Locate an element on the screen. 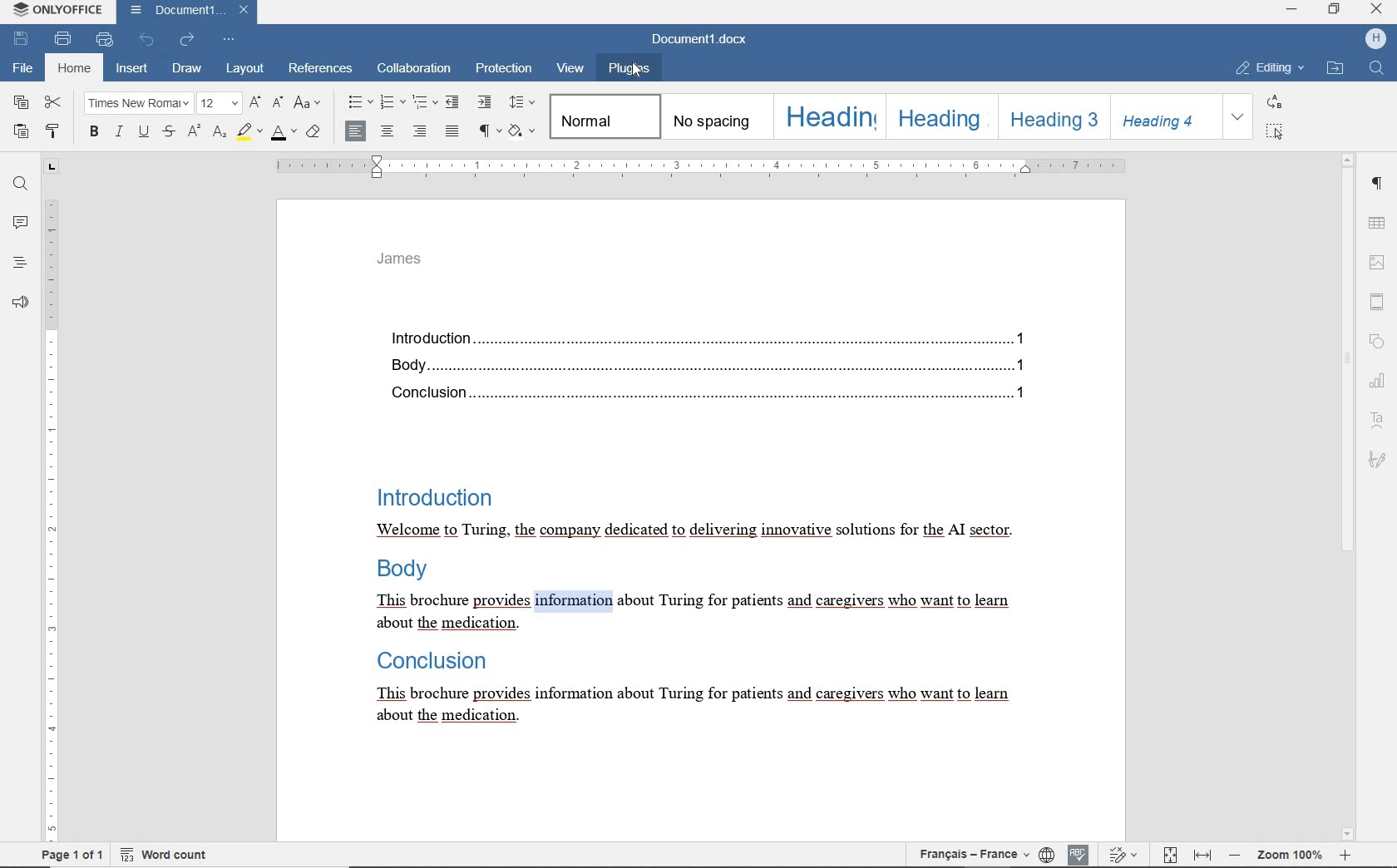  ALIGN LEFT is located at coordinates (356, 130).